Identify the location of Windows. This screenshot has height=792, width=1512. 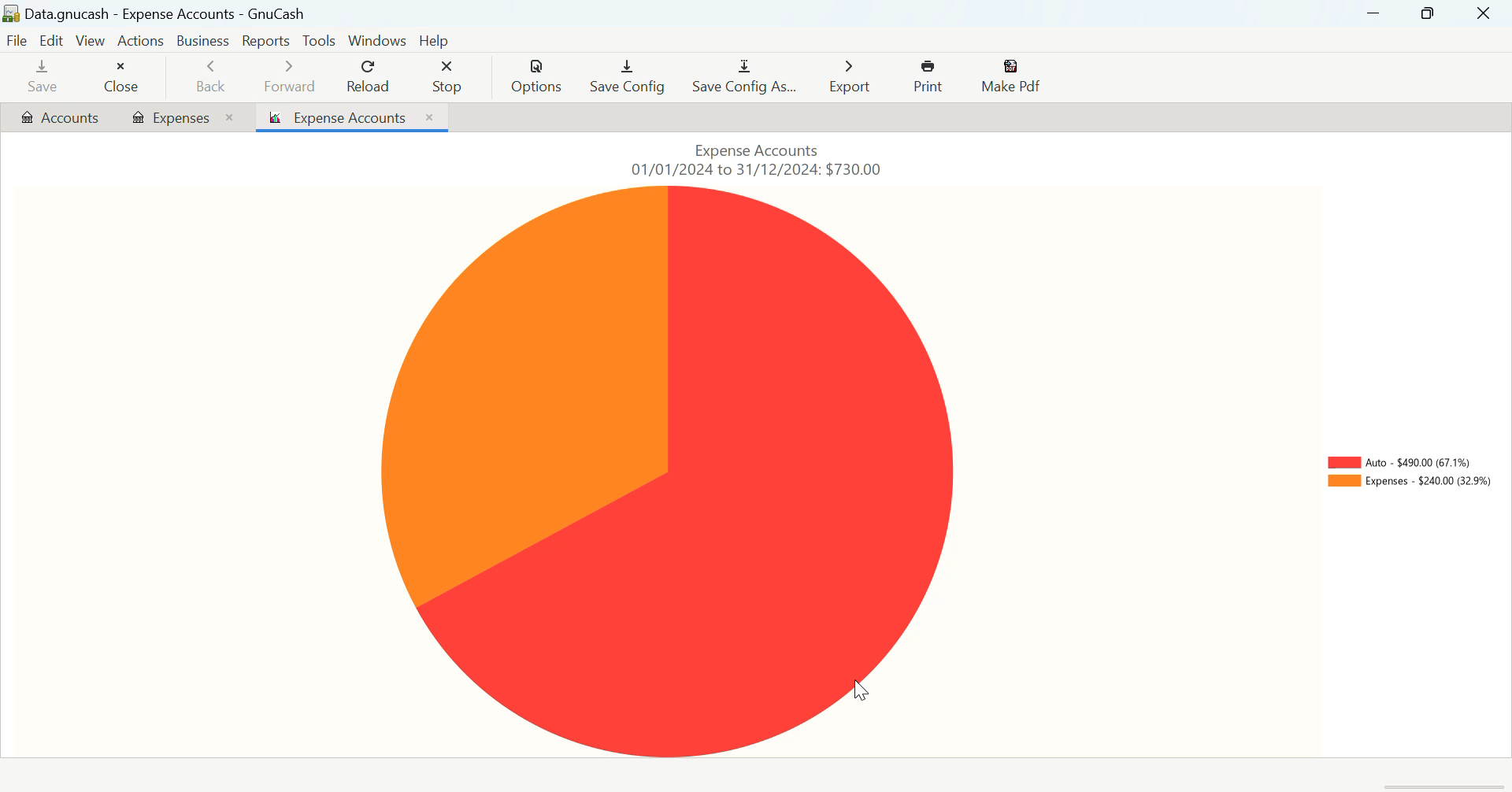
(375, 40).